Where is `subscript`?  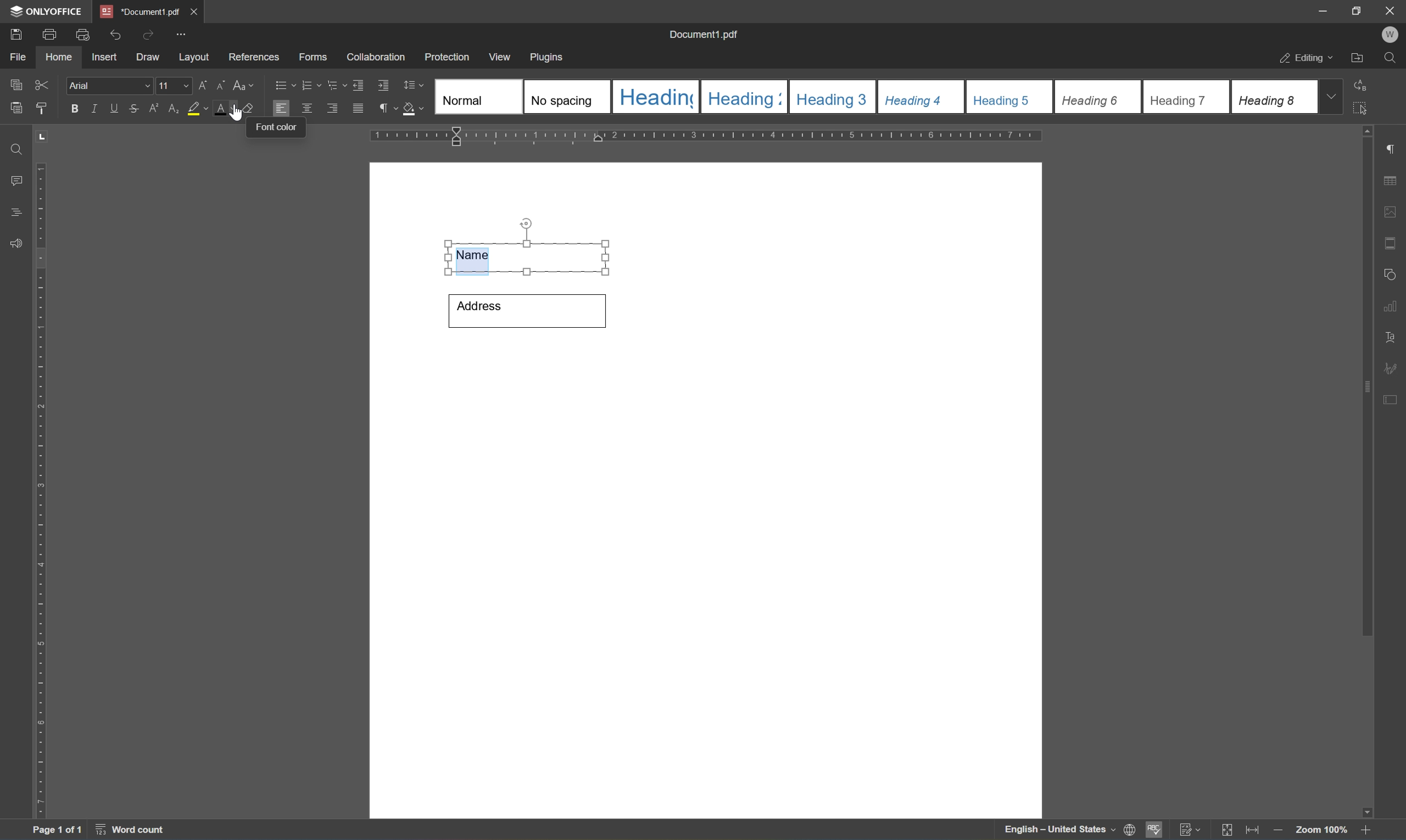
subscript is located at coordinates (172, 107).